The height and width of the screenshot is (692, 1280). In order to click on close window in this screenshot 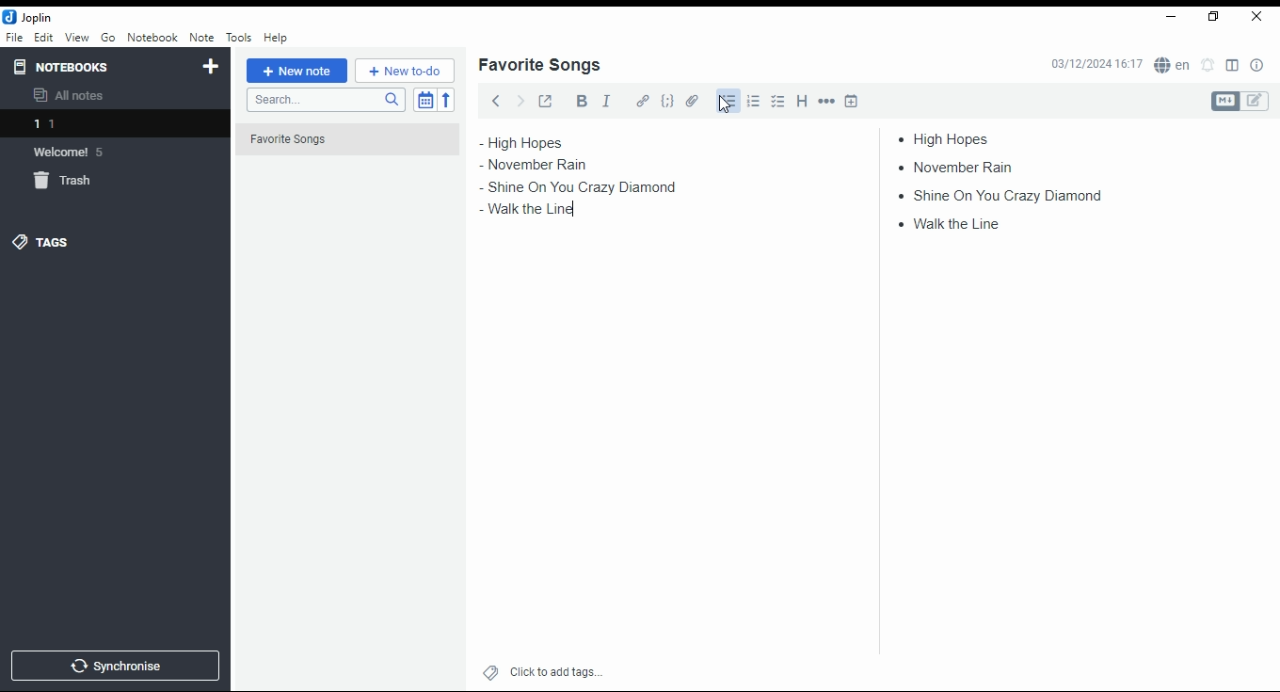, I will do `click(1258, 17)`.